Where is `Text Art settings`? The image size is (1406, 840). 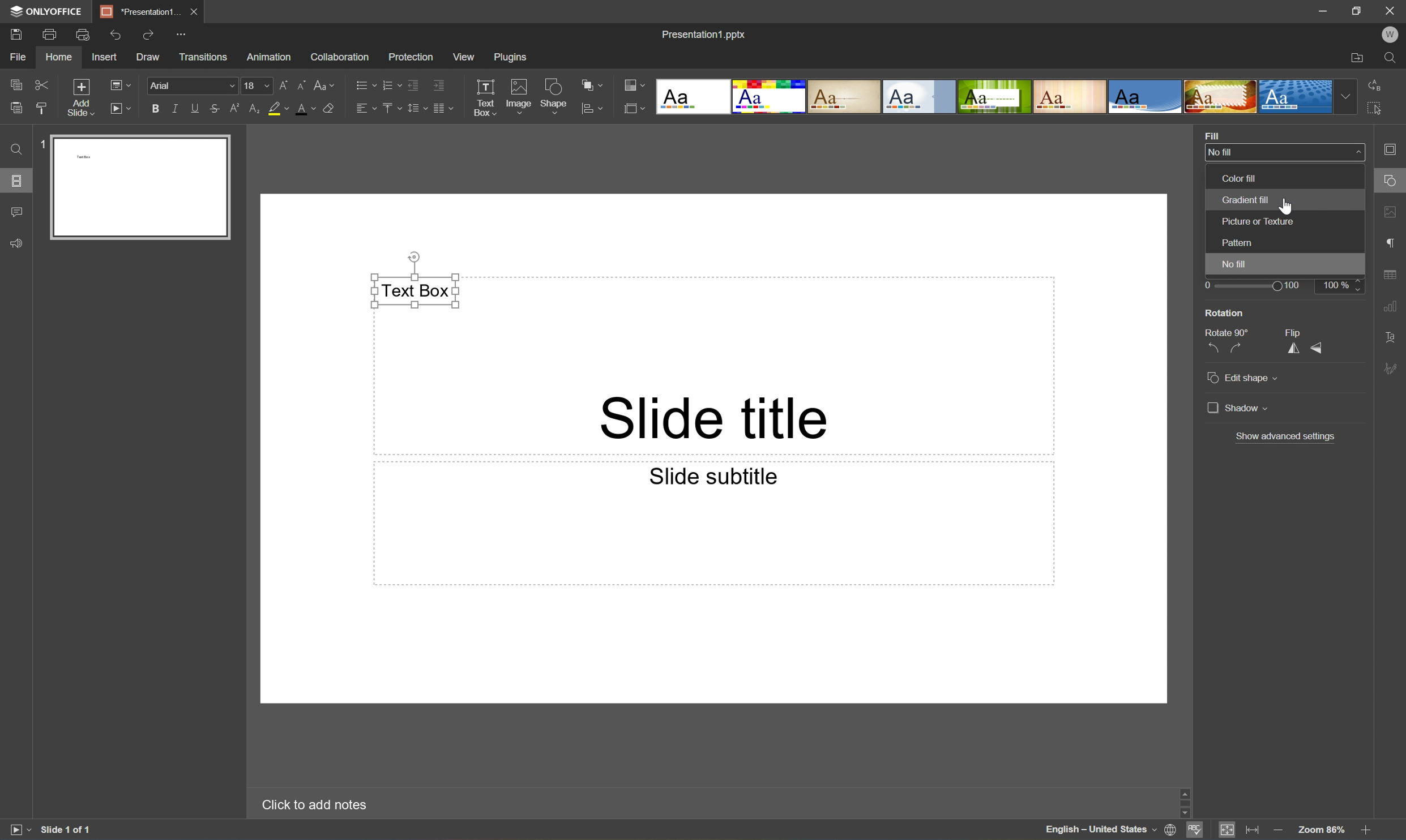
Text Art settings is located at coordinates (1394, 337).